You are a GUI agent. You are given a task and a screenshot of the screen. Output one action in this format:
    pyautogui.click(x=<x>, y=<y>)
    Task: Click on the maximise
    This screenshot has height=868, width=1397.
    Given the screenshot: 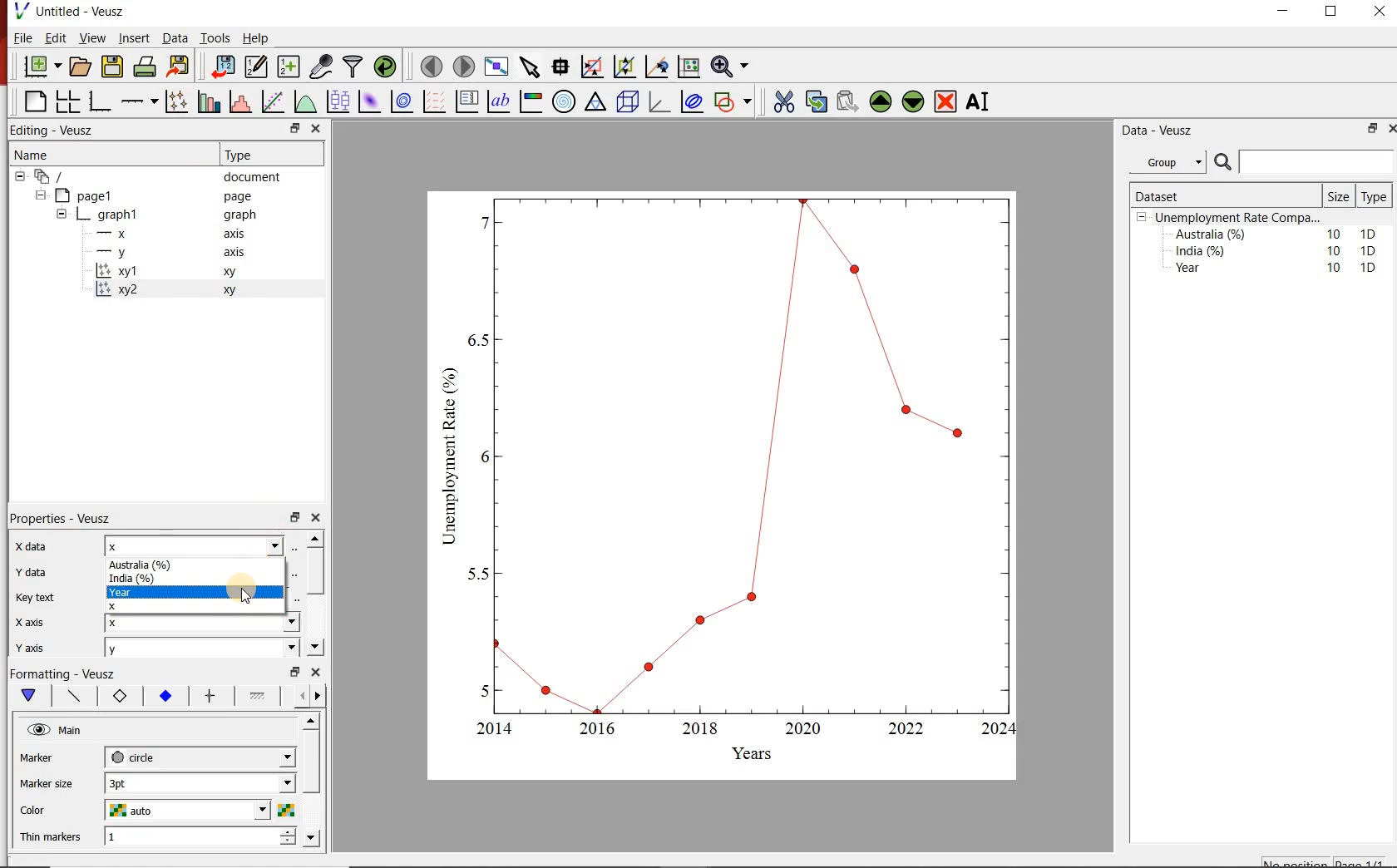 What is the action you would take?
    pyautogui.click(x=1333, y=15)
    